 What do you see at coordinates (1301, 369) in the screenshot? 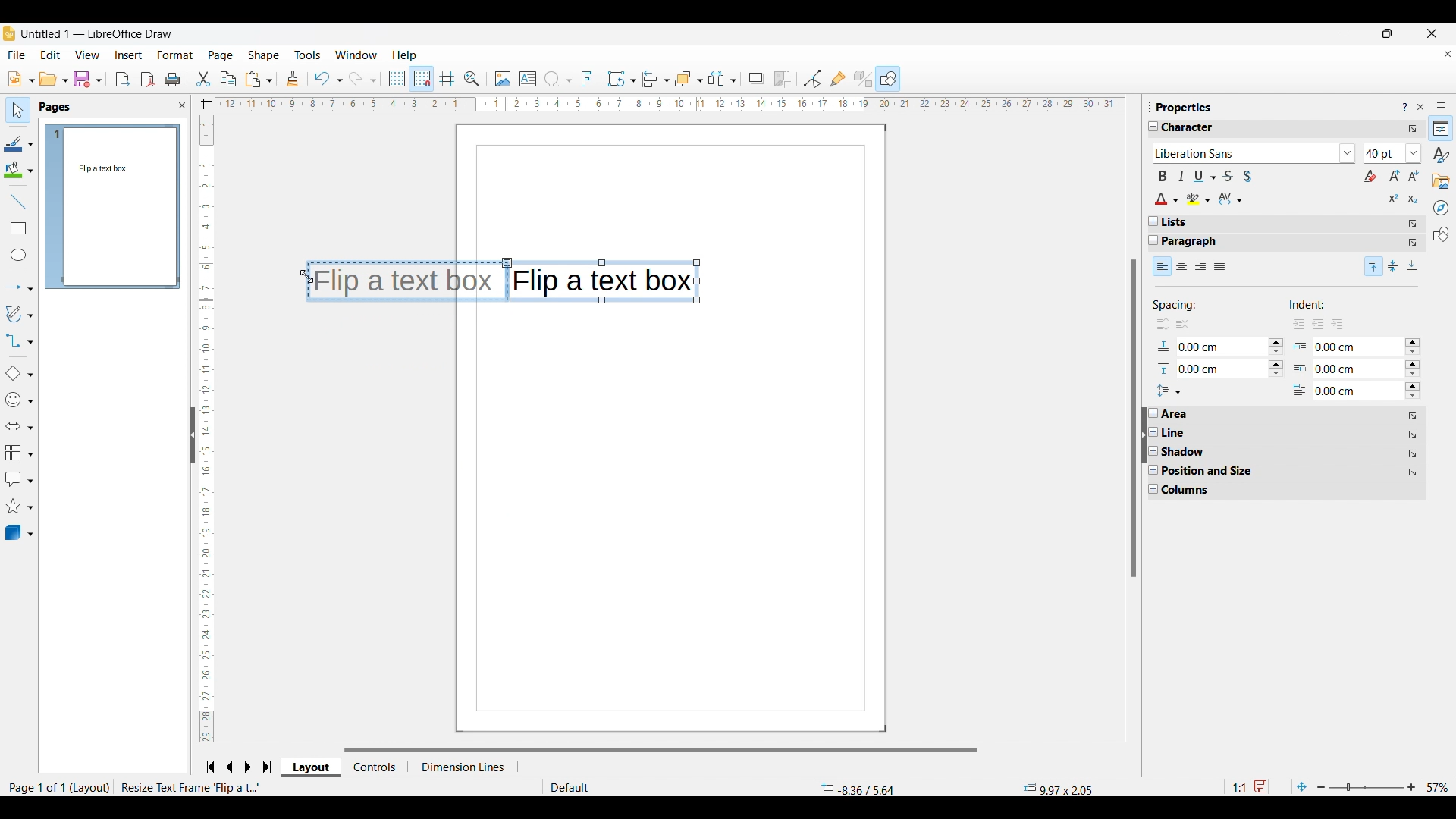
I see `Indicates respective indent options` at bounding box center [1301, 369].